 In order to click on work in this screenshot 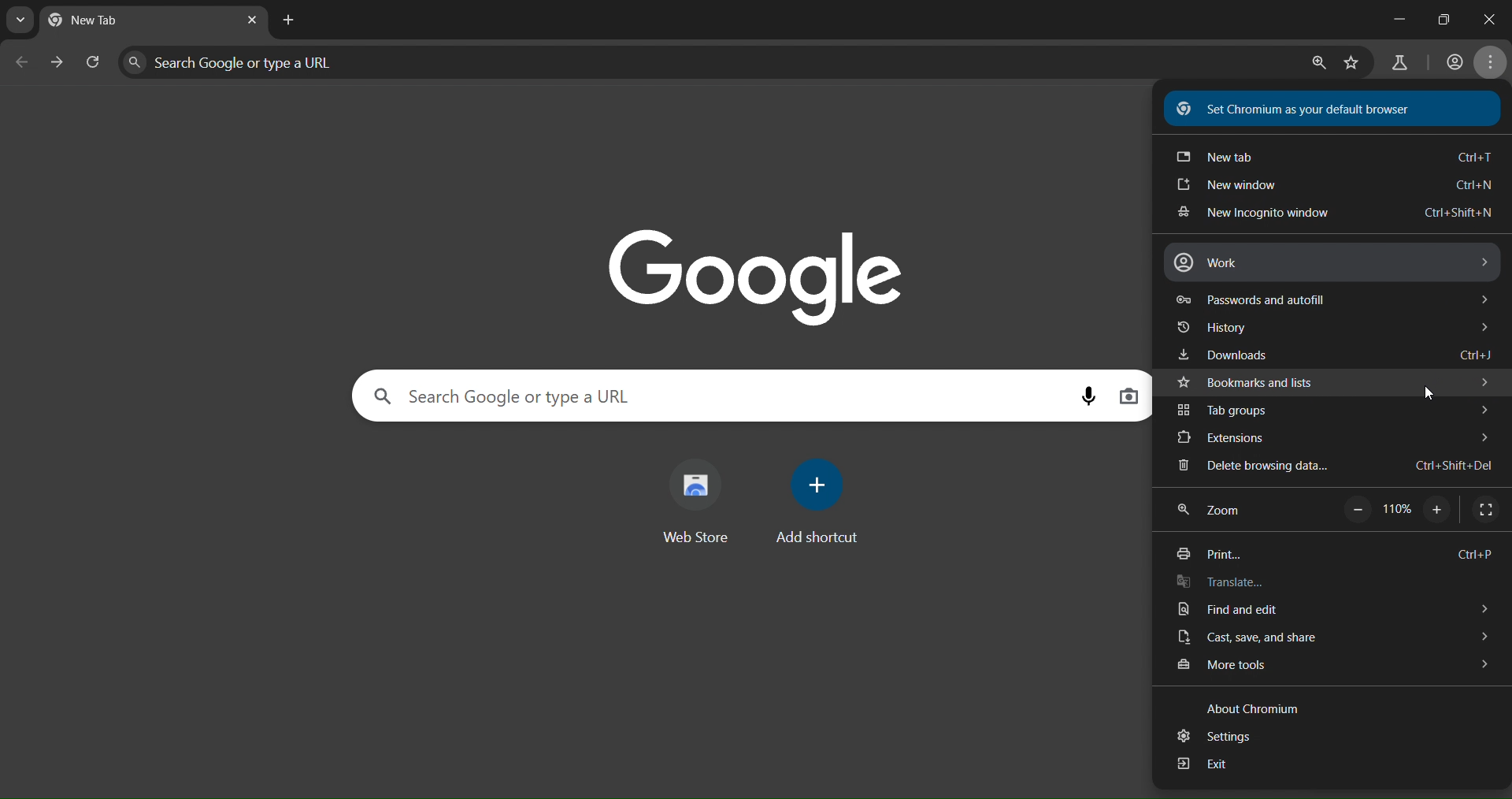, I will do `click(1341, 265)`.